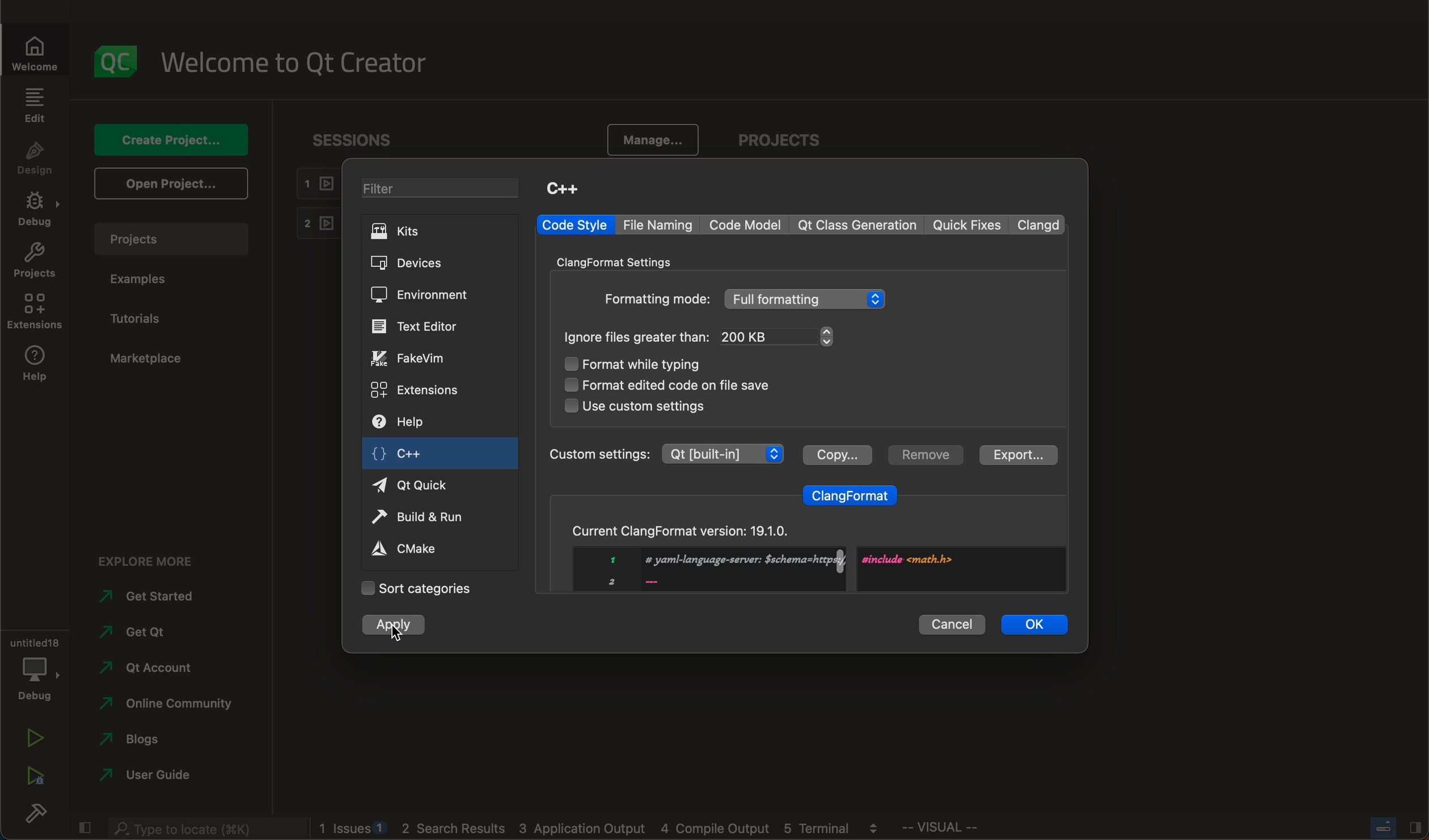 The image size is (1429, 840). I want to click on logs, so click(606, 829).